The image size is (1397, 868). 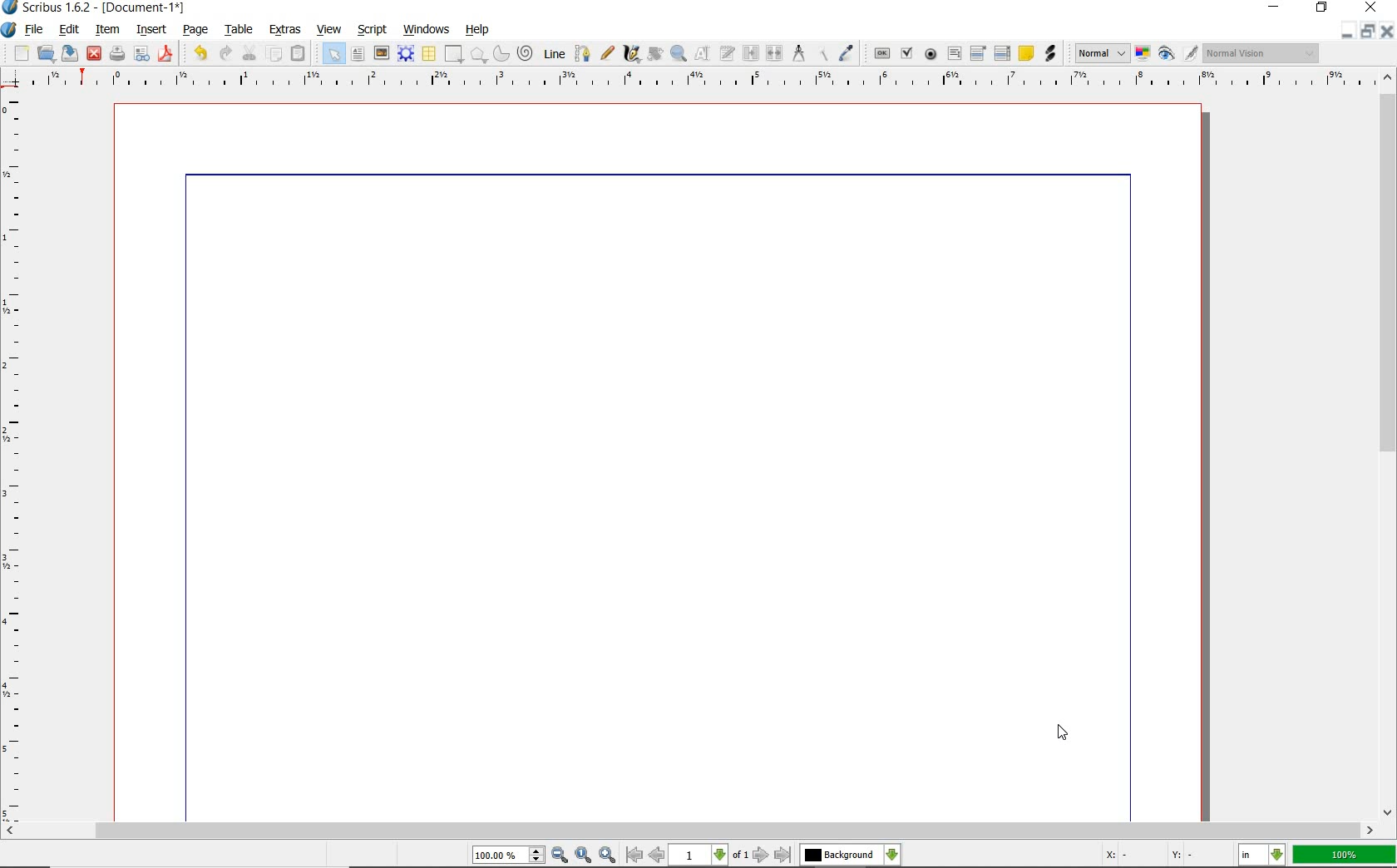 I want to click on script, so click(x=373, y=30).